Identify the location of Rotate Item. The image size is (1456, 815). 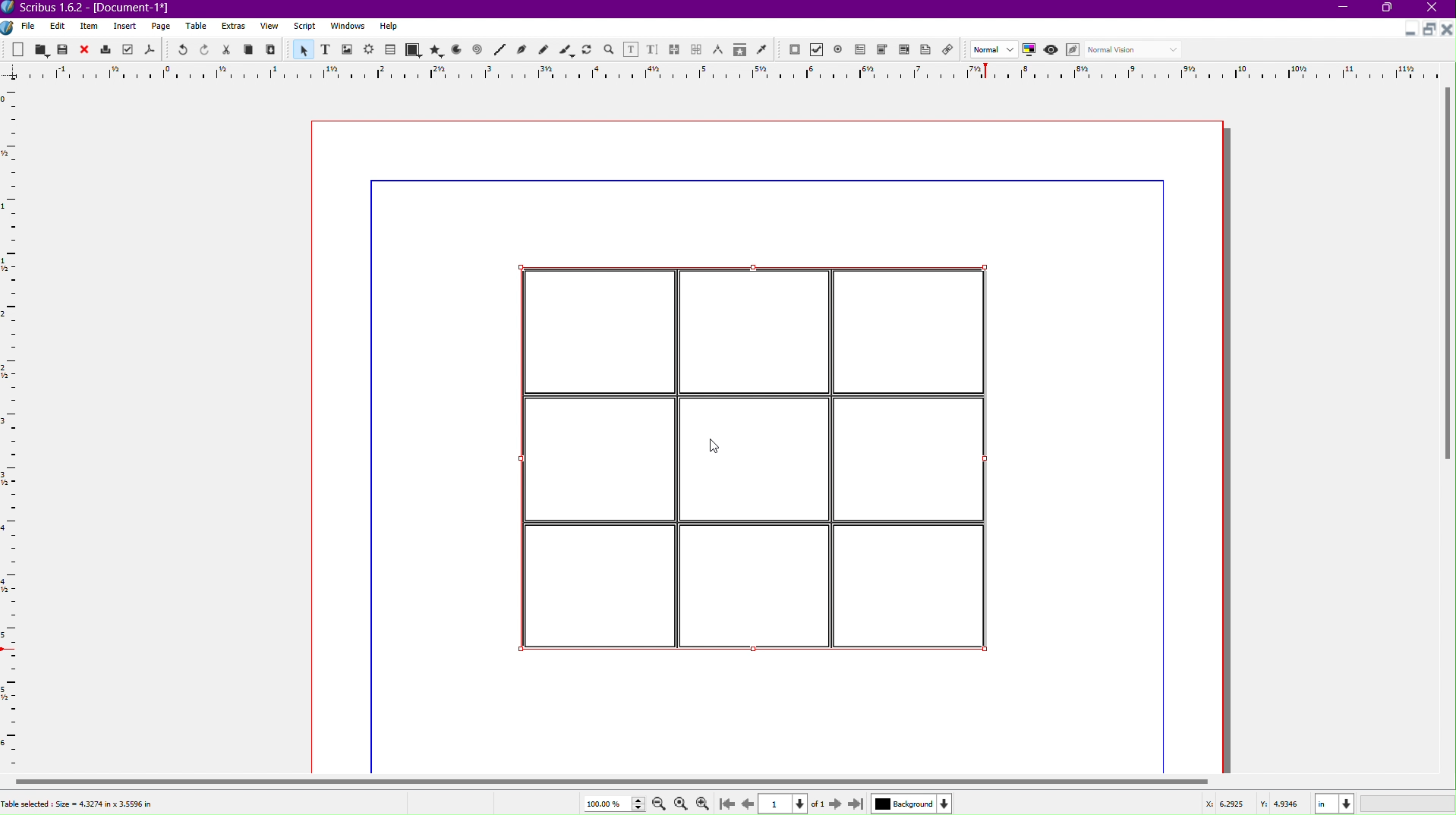
(587, 49).